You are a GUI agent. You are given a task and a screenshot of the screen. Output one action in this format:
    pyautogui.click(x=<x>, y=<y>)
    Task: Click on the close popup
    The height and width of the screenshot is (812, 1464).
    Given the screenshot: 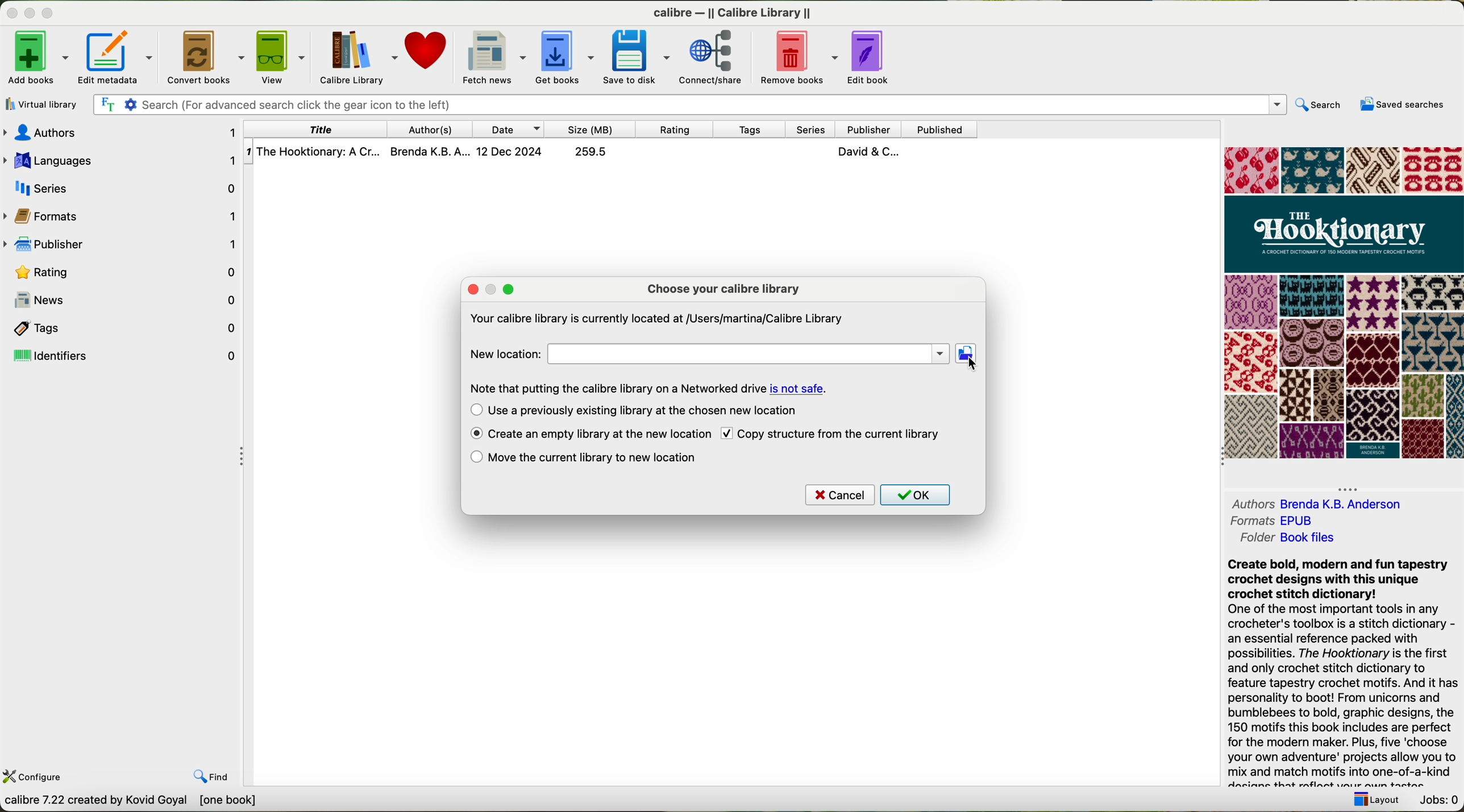 What is the action you would take?
    pyautogui.click(x=471, y=288)
    